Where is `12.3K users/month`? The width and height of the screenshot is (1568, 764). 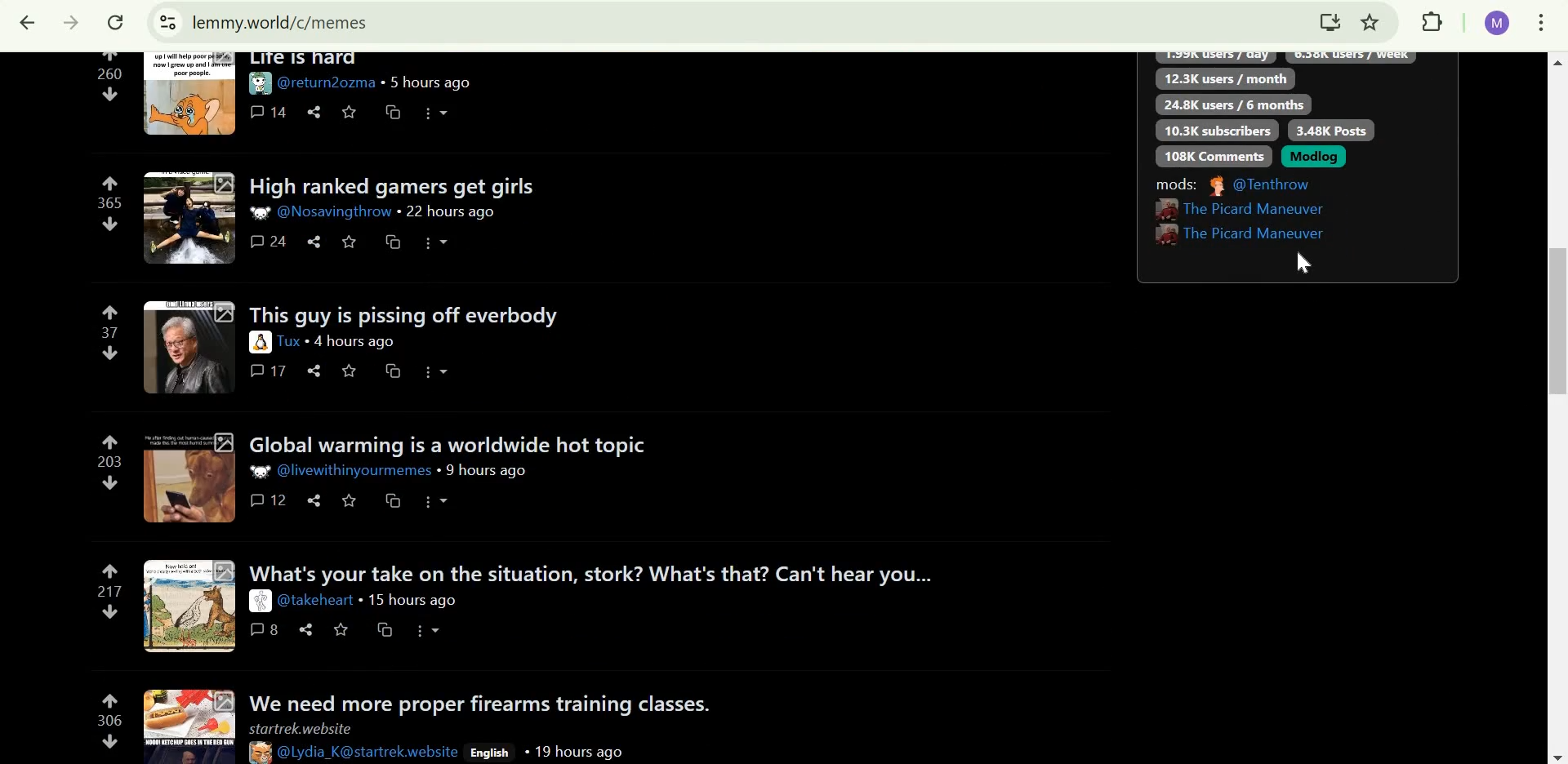
12.3K users/month is located at coordinates (1225, 78).